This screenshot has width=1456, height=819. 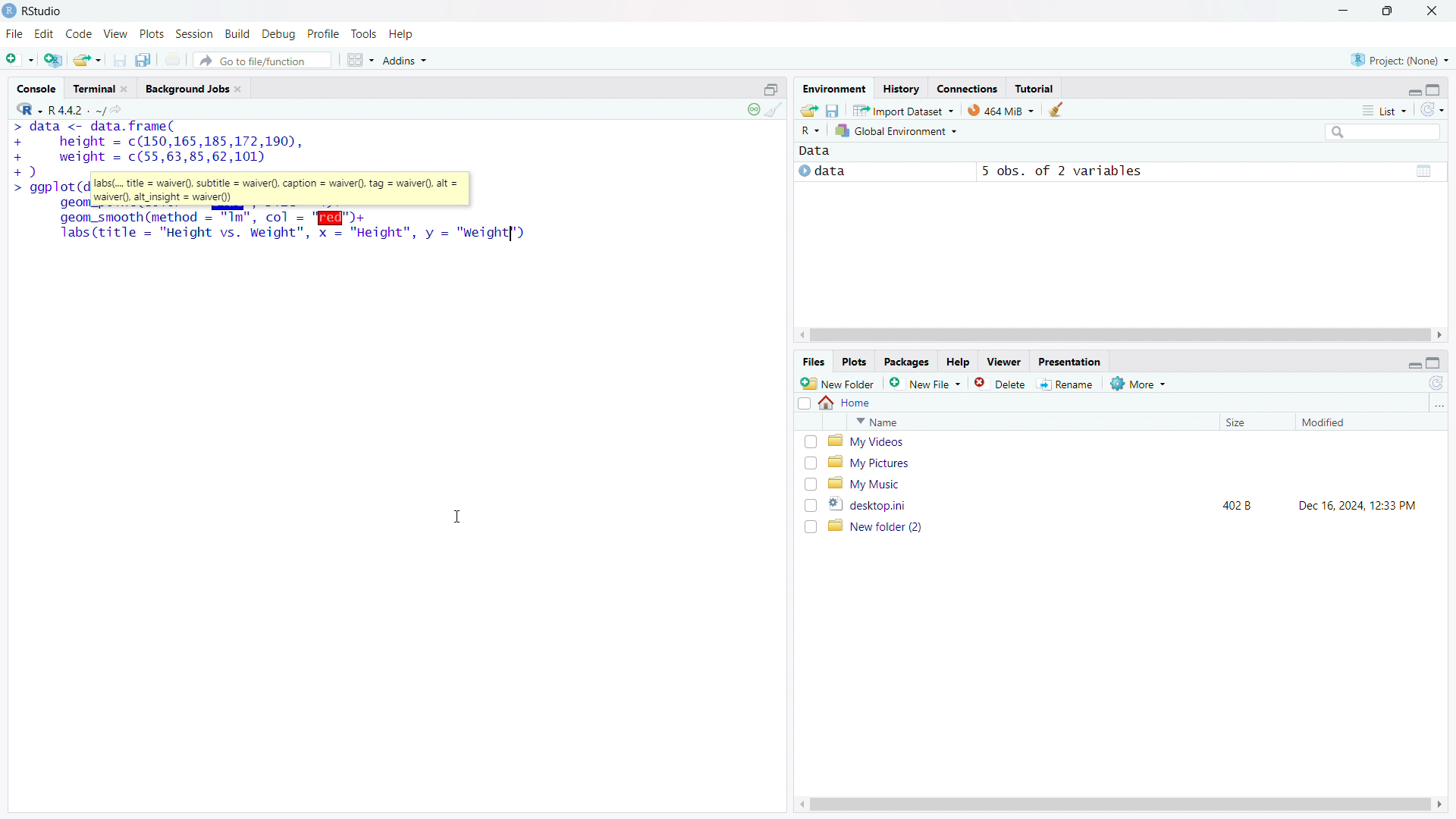 I want to click on package, so click(x=906, y=362).